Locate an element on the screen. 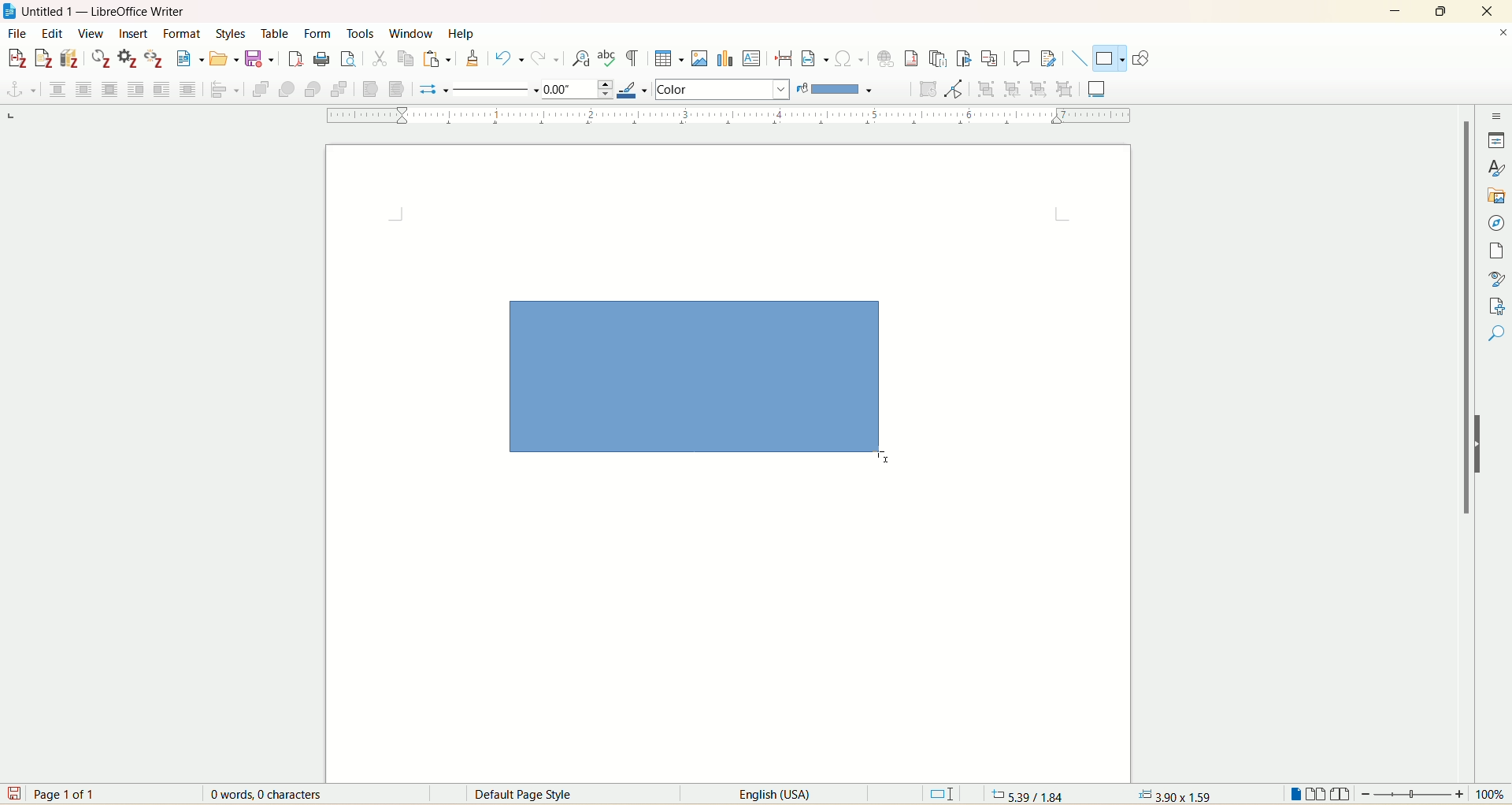 Image resolution: width=1512 pixels, height=805 pixels. insert is located at coordinates (134, 34).